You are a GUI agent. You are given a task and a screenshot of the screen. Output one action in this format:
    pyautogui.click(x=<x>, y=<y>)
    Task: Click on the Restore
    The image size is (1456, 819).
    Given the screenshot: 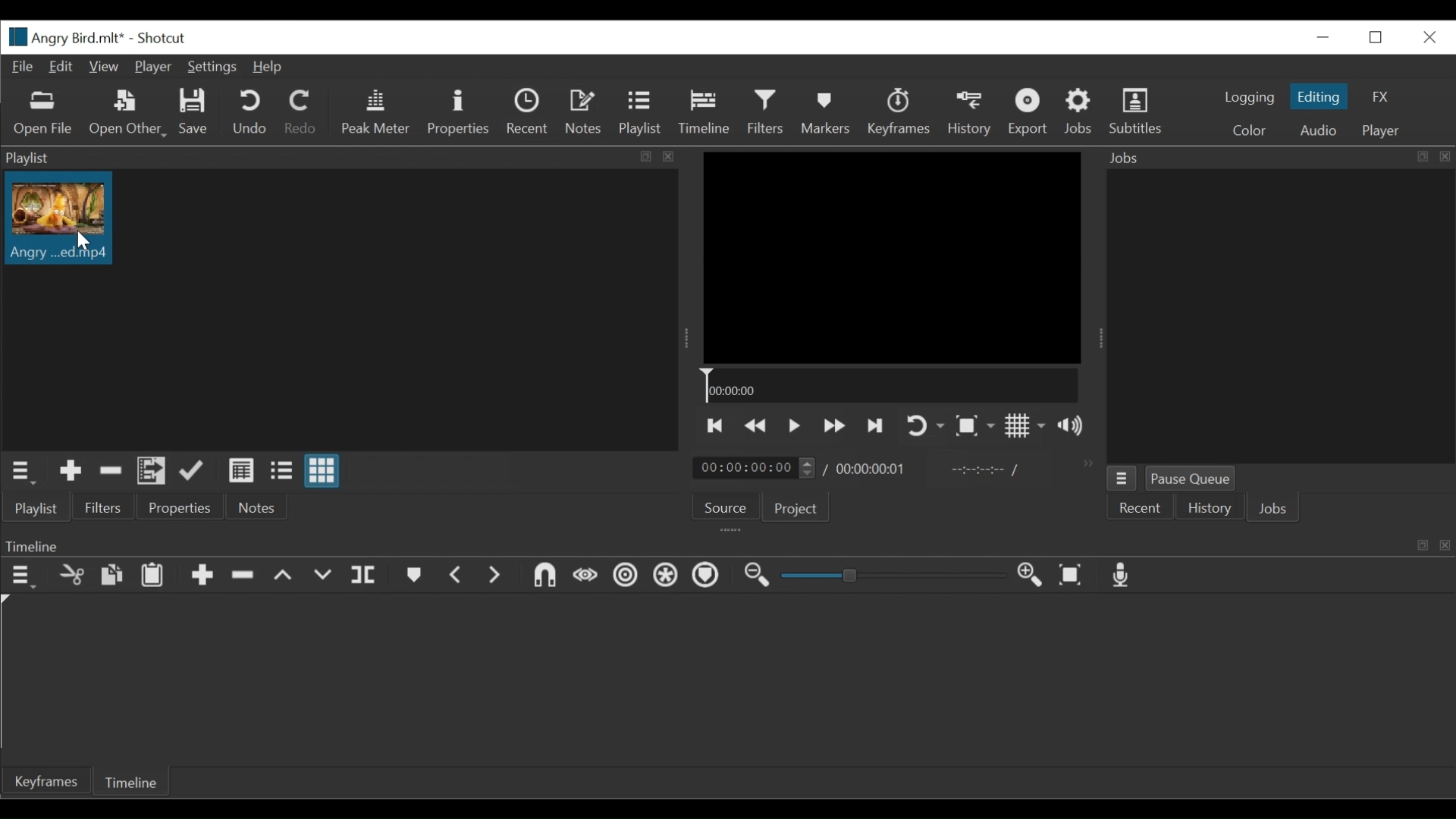 What is the action you would take?
    pyautogui.click(x=1376, y=38)
    